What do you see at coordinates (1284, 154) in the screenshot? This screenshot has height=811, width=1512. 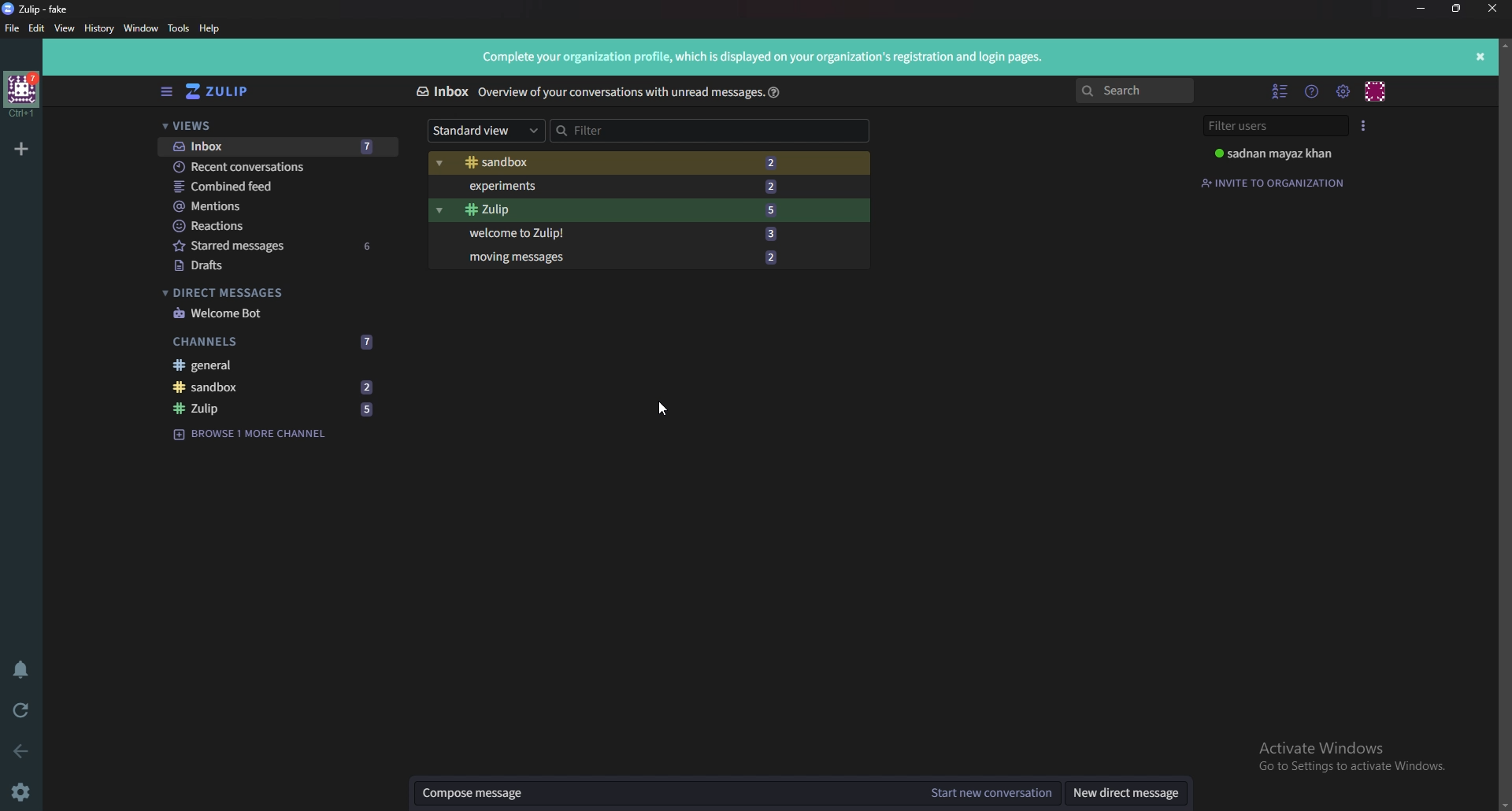 I see `Sadnan mayaz khan` at bounding box center [1284, 154].